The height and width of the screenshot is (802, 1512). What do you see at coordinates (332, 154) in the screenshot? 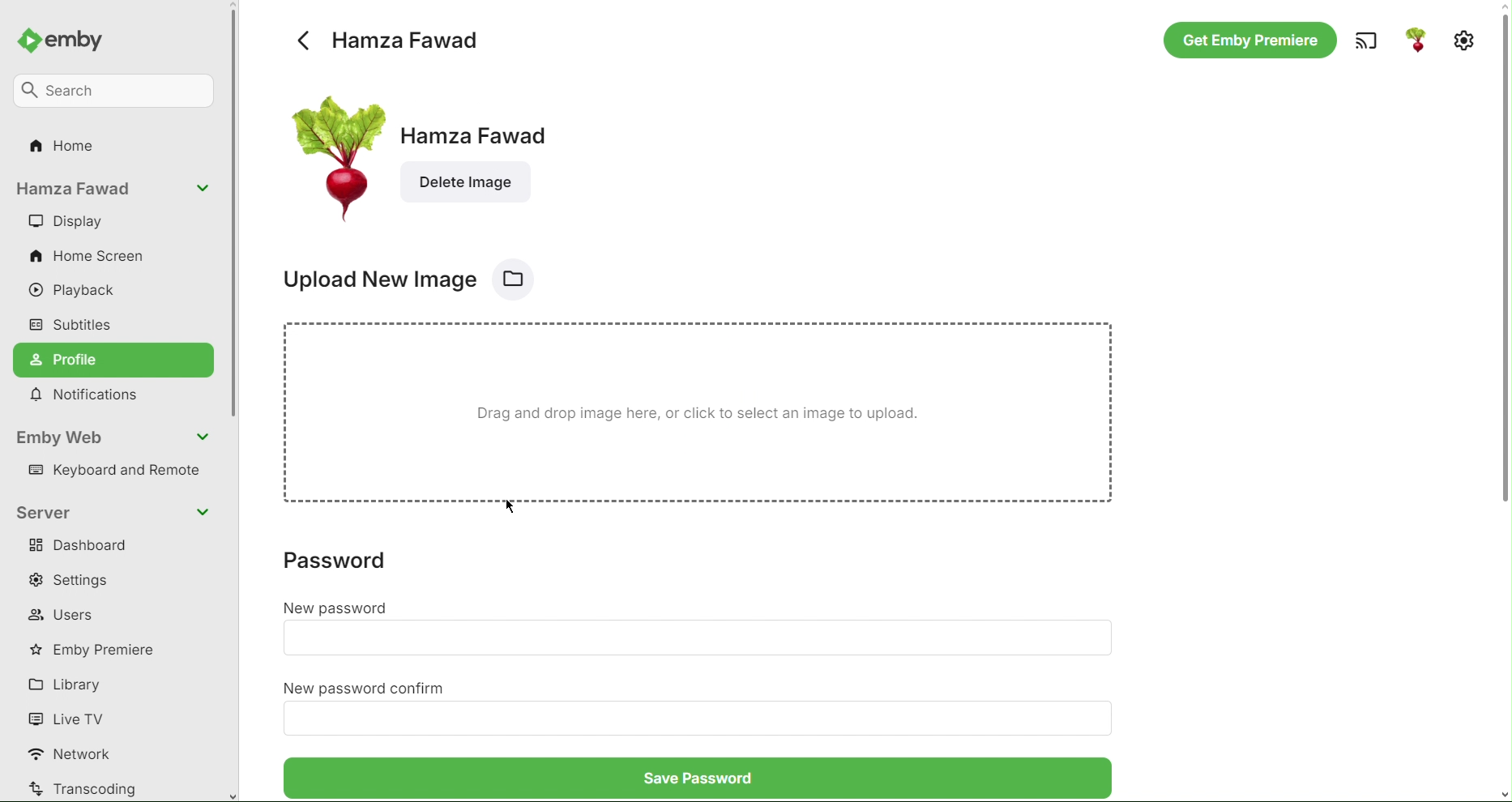
I see `New Profile Image` at bounding box center [332, 154].